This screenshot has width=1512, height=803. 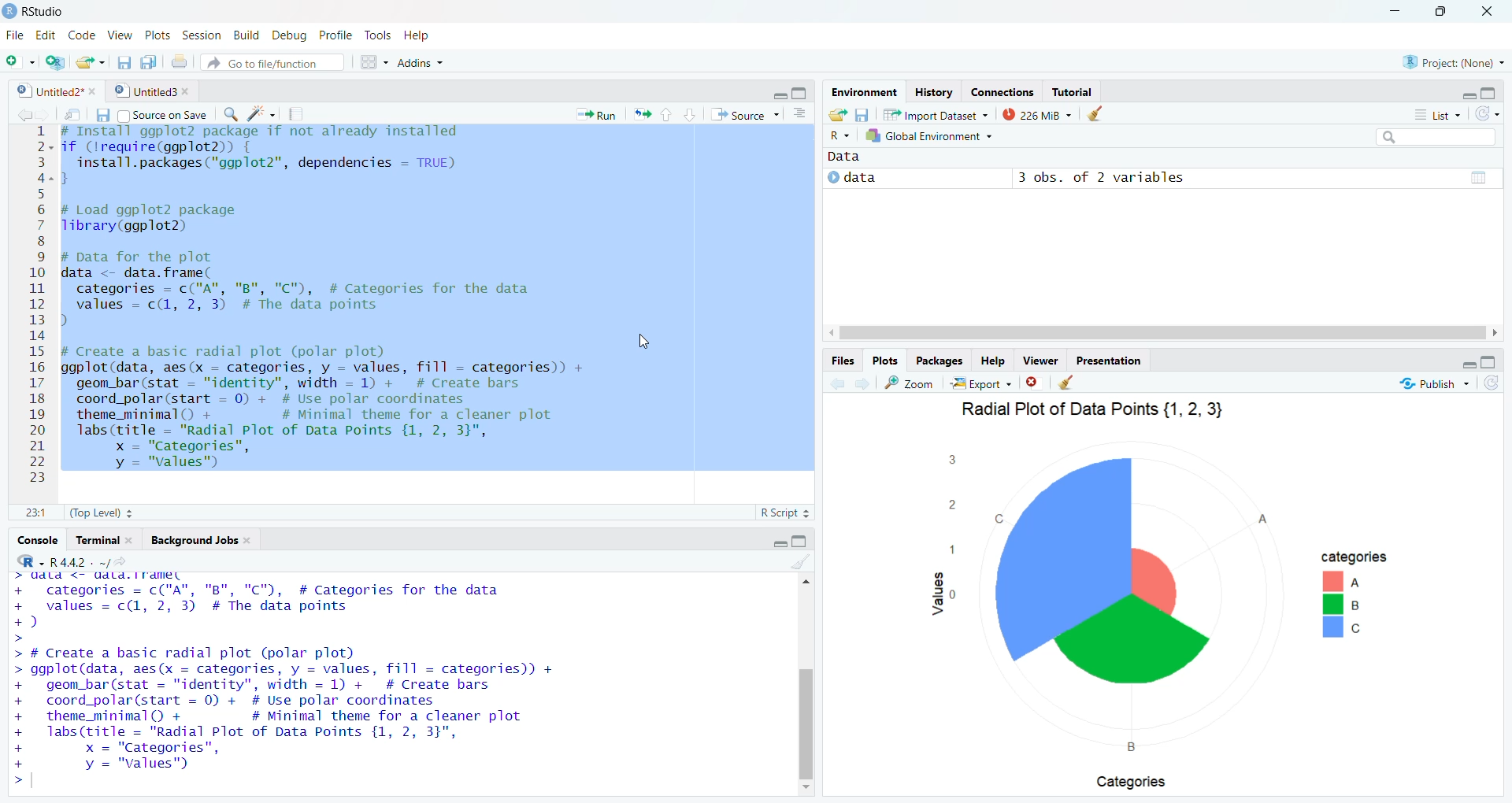 What do you see at coordinates (182, 62) in the screenshot?
I see `print the current file` at bounding box center [182, 62].